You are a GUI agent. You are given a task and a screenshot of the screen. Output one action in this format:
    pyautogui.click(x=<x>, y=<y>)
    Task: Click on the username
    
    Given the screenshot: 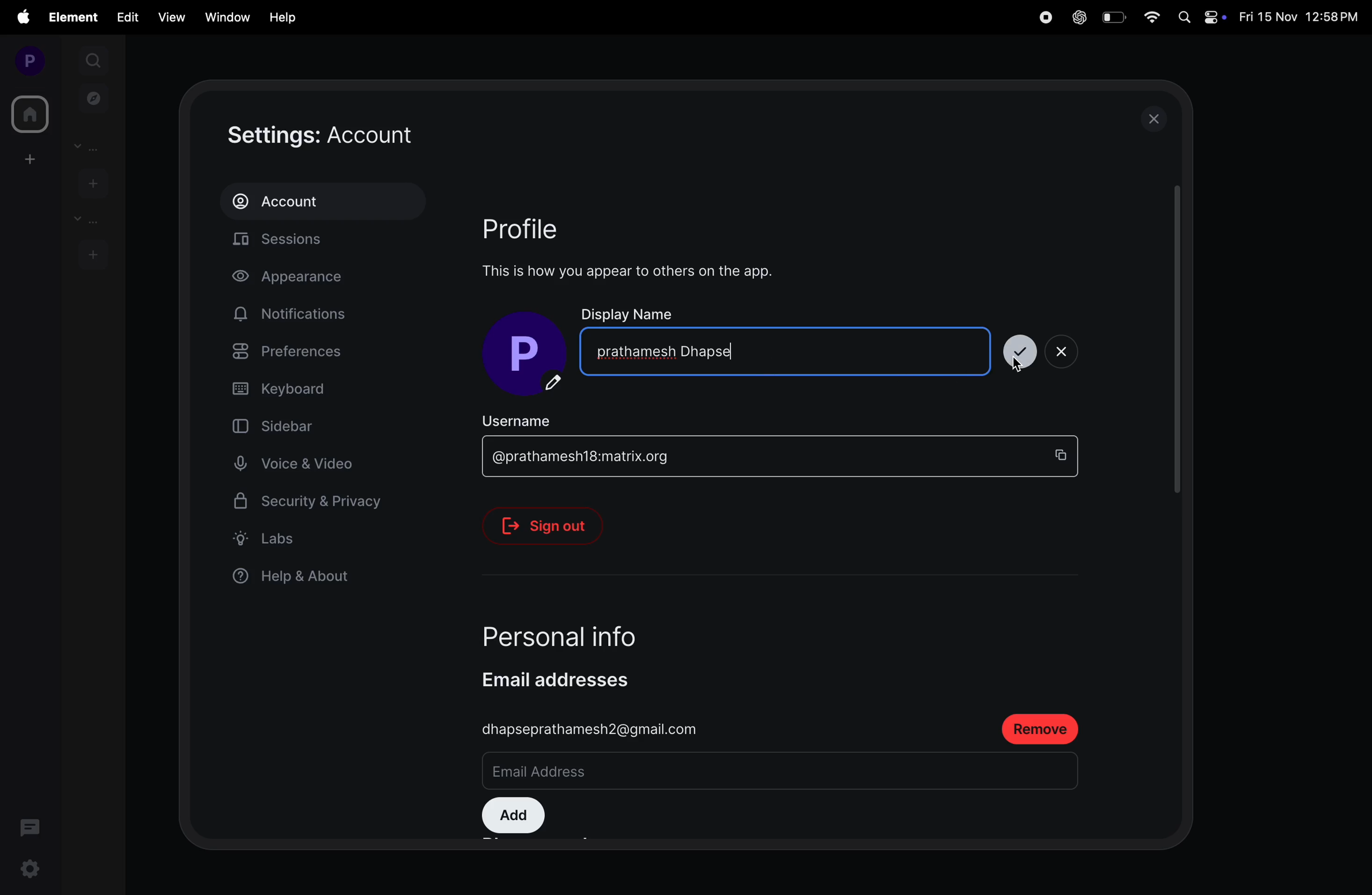 What is the action you would take?
    pyautogui.click(x=533, y=419)
    